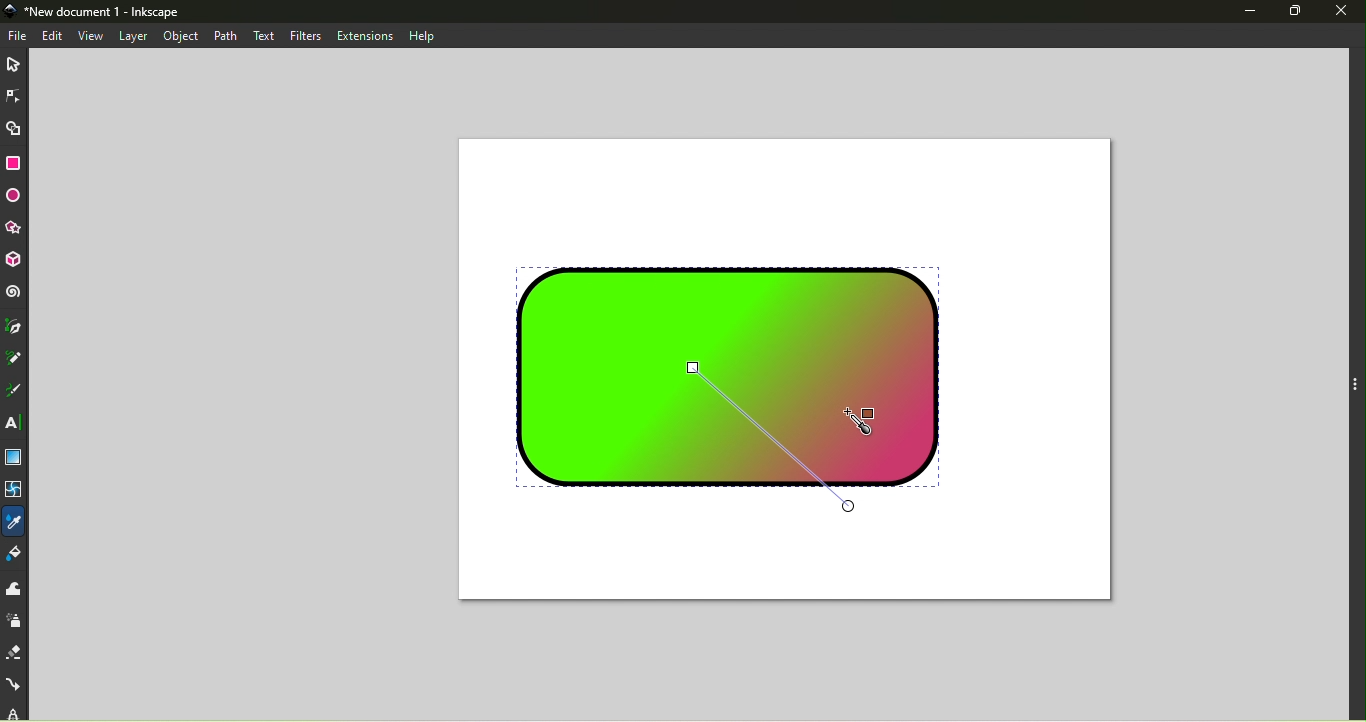 The height and width of the screenshot is (722, 1366). Describe the element at coordinates (111, 12) in the screenshot. I see `New document 1 - Inkscape` at that location.